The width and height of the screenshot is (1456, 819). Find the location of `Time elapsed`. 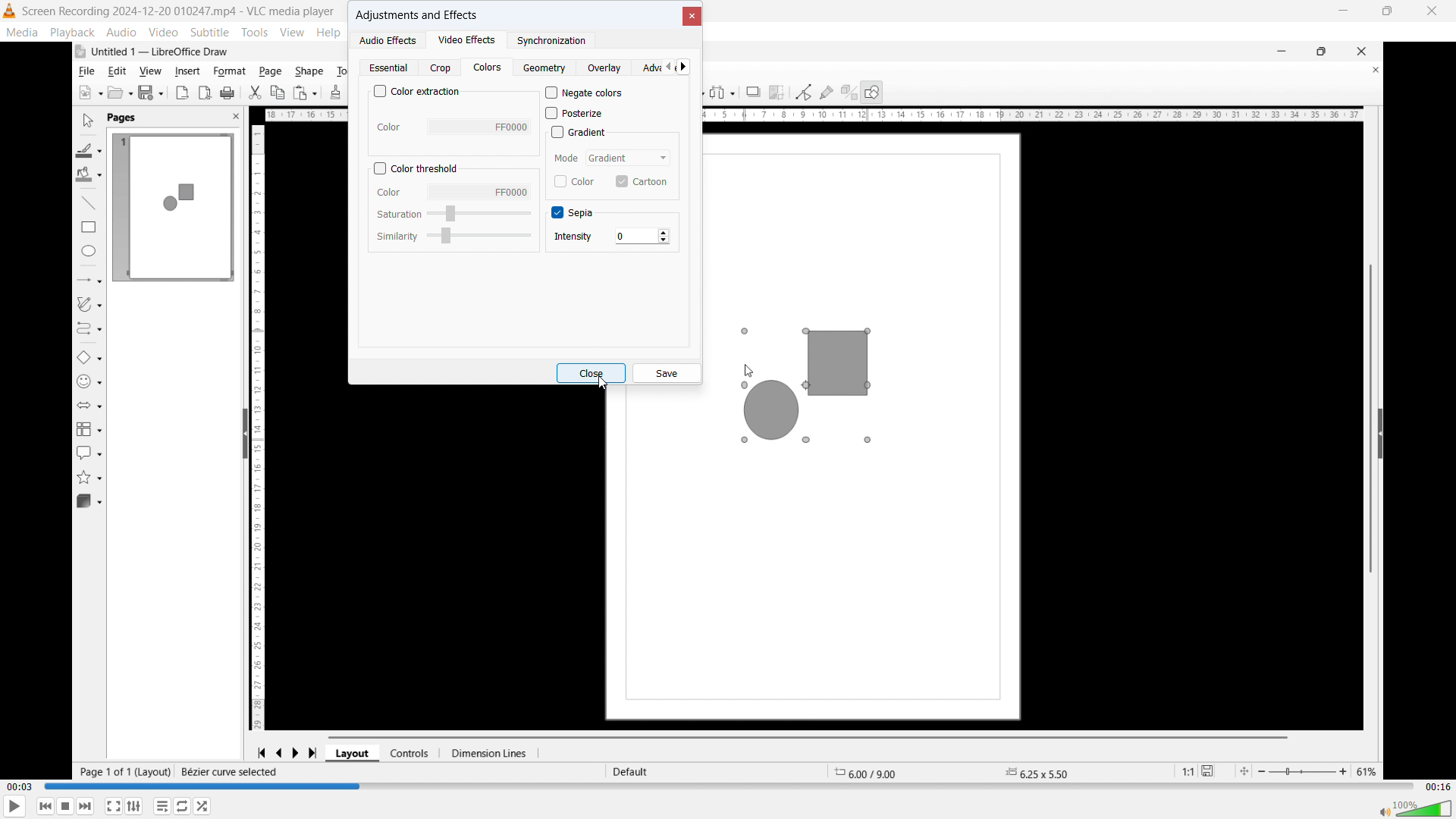

Time elapsed is located at coordinates (21, 787).